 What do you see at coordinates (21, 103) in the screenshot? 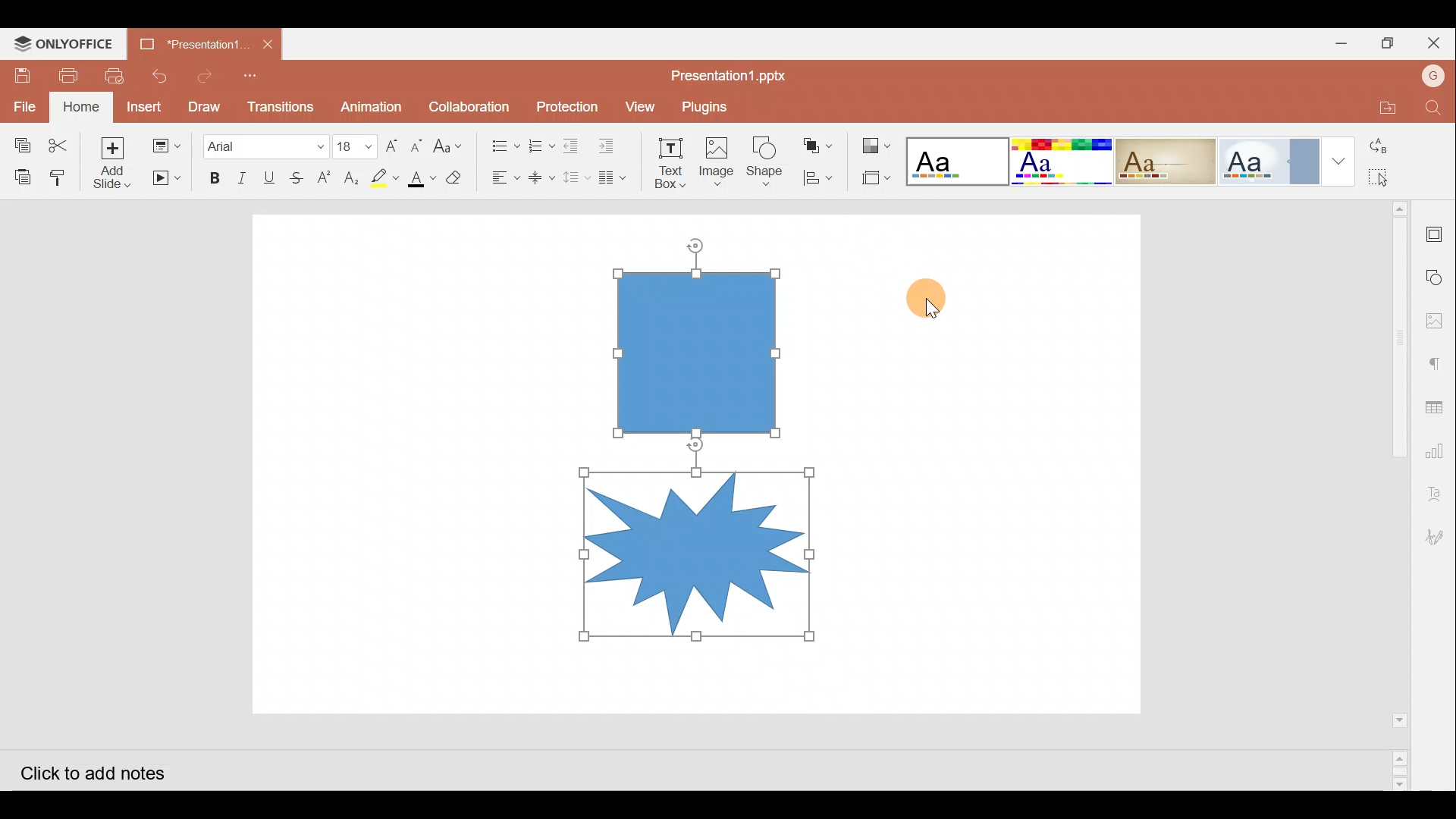
I see `File` at bounding box center [21, 103].